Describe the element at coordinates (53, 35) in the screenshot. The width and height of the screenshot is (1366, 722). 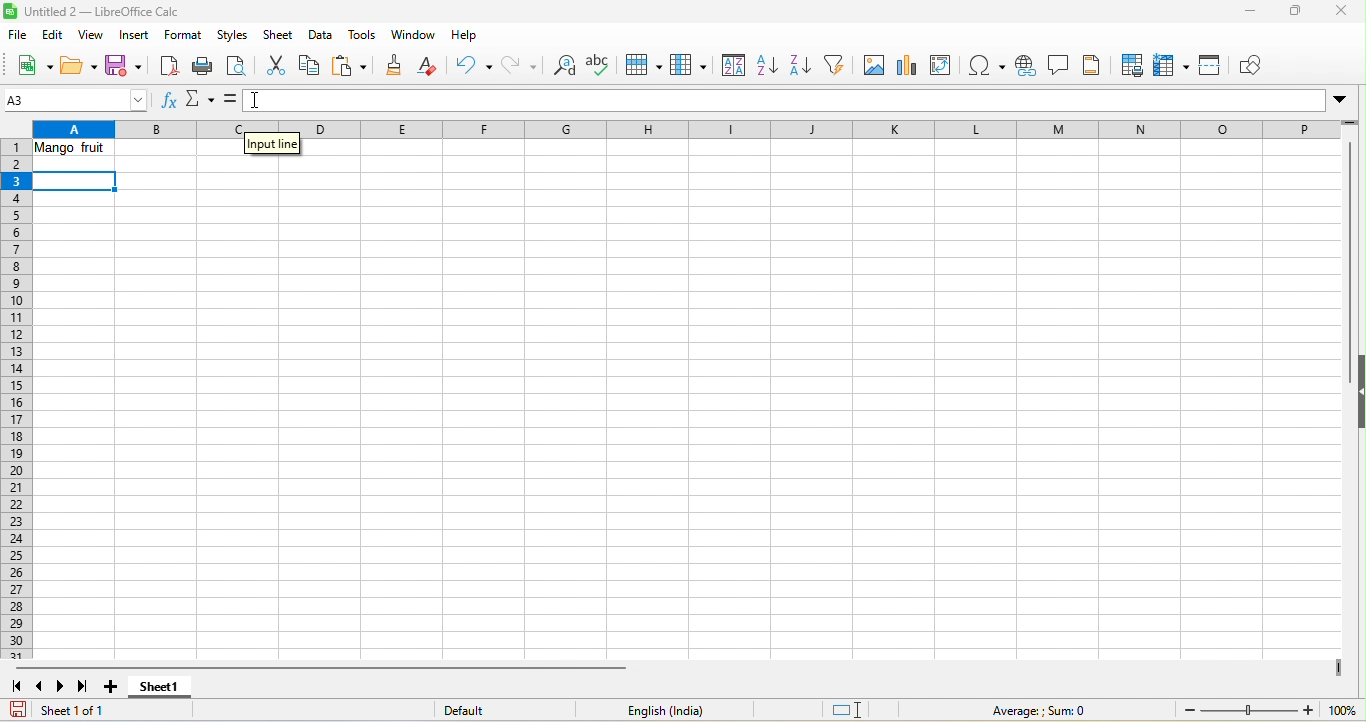
I see `edit` at that location.